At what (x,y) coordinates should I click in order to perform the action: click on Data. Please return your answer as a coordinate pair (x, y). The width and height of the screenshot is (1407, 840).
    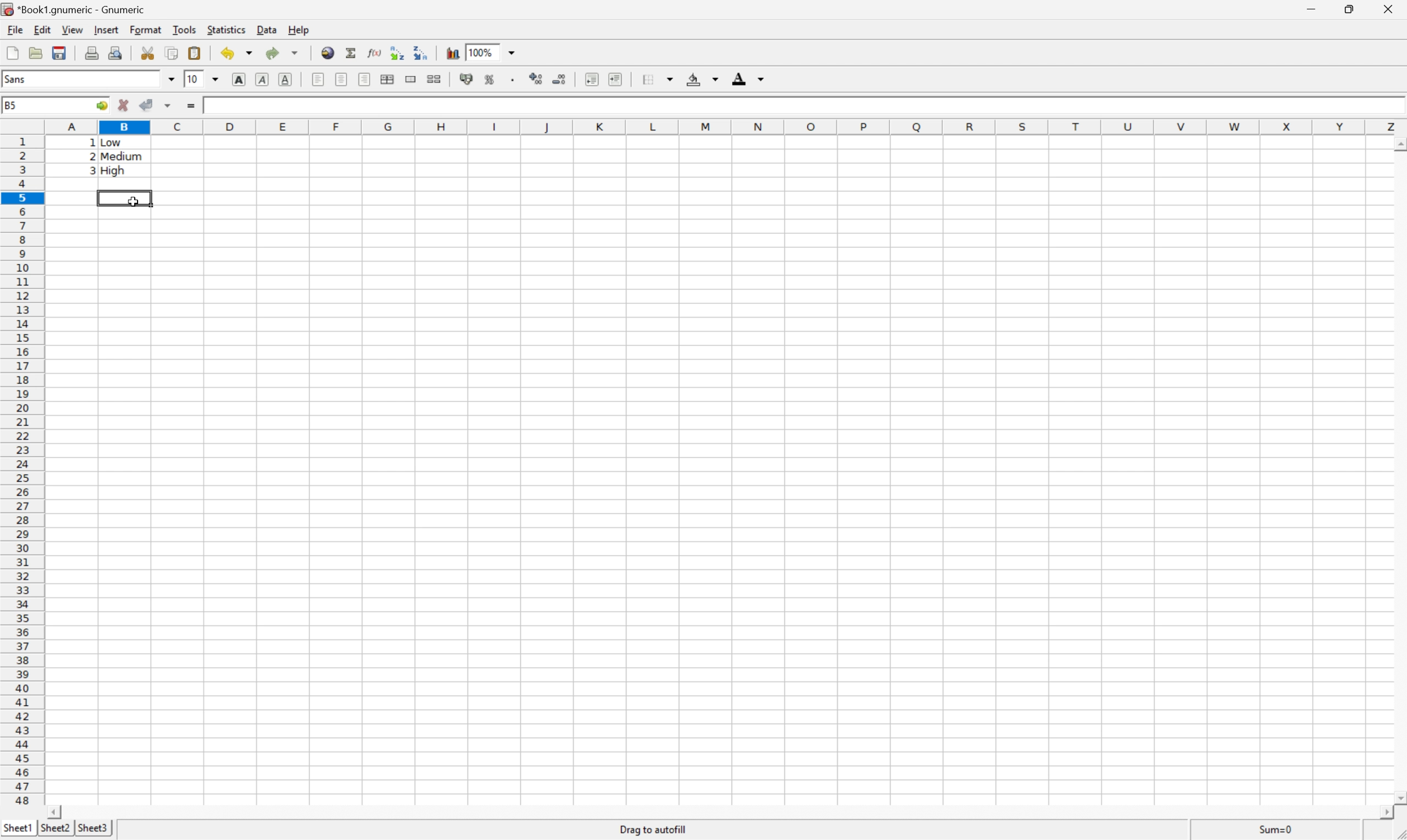
    Looking at the image, I should click on (267, 30).